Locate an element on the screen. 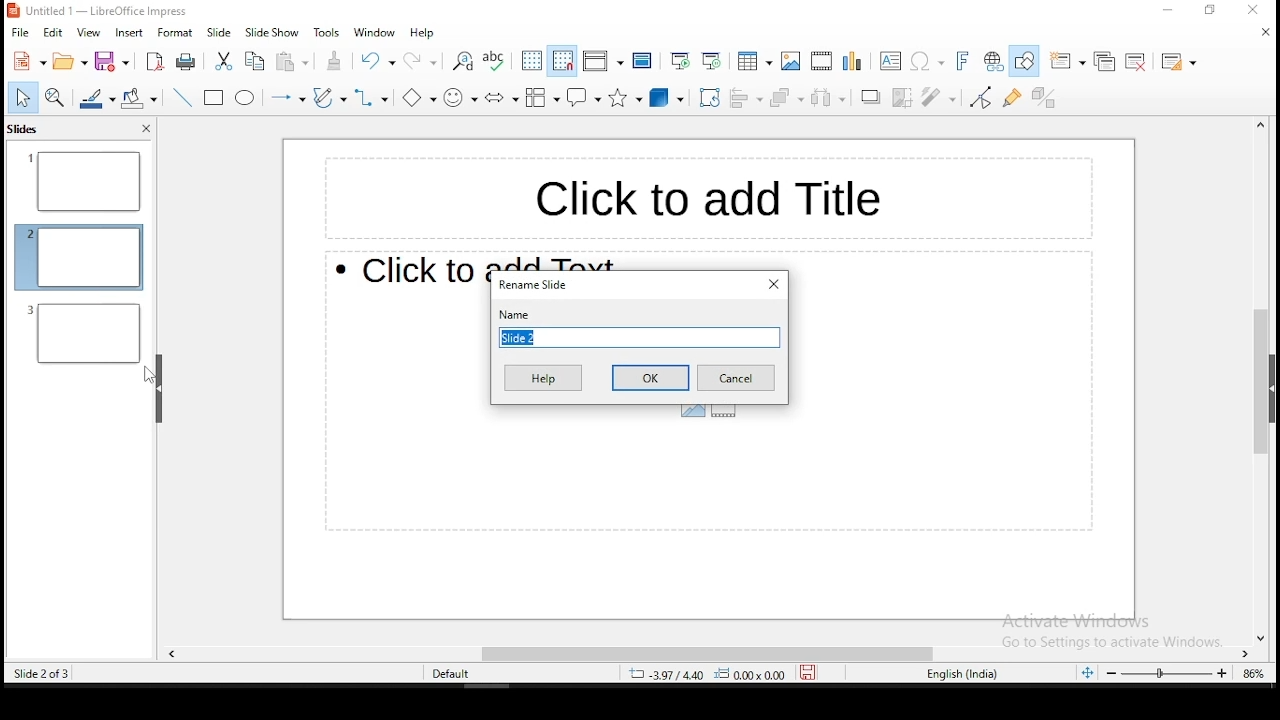  block arrows is located at coordinates (500, 97).